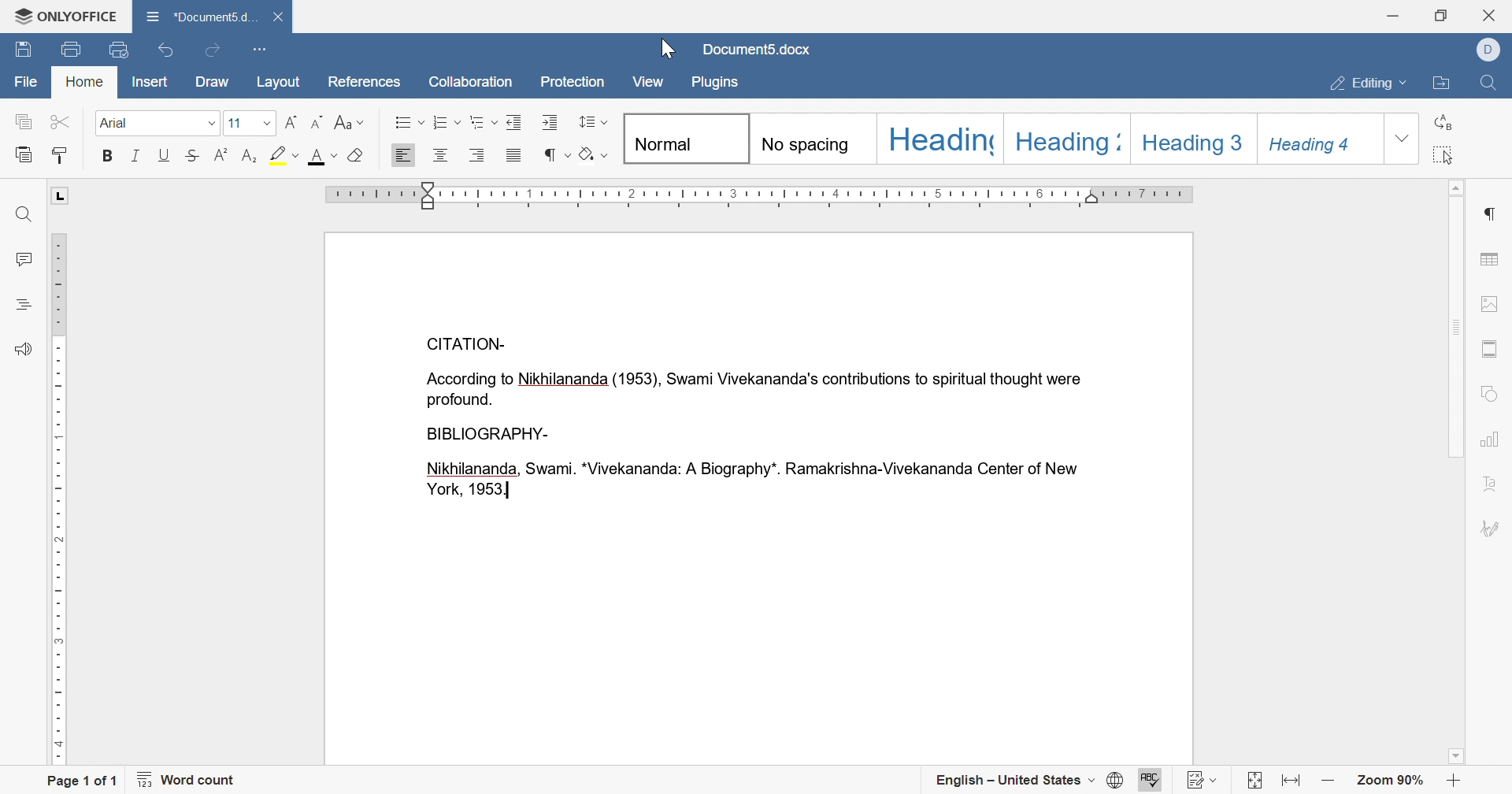  What do you see at coordinates (138, 156) in the screenshot?
I see `italic` at bounding box center [138, 156].